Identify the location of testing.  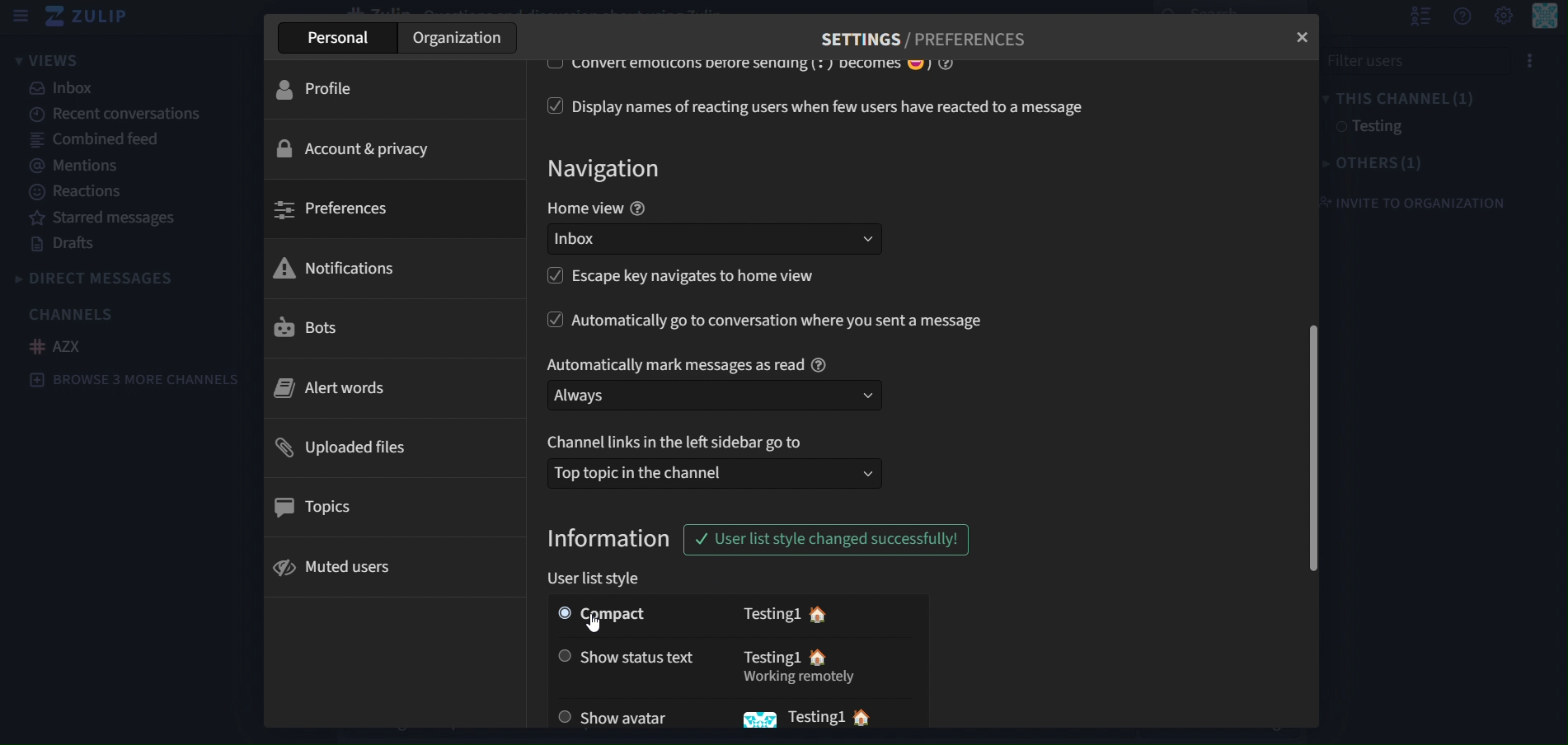
(1385, 127).